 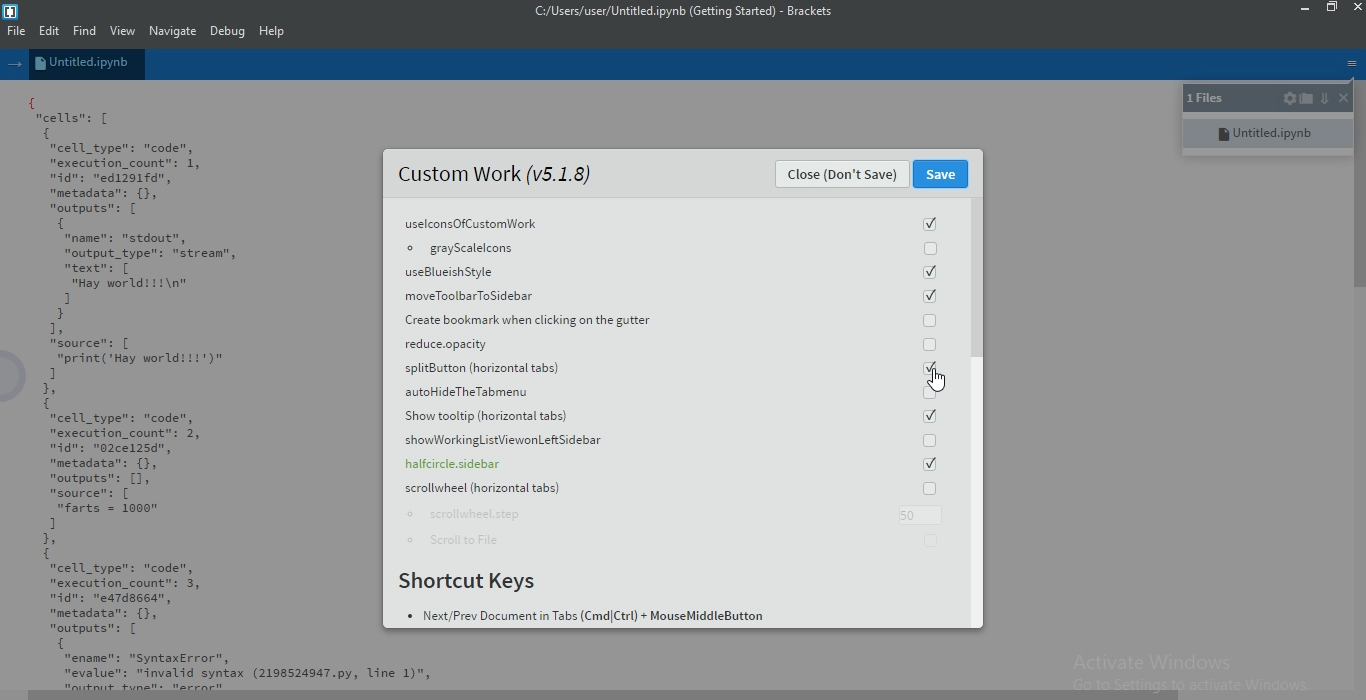 What do you see at coordinates (273, 33) in the screenshot?
I see `Help` at bounding box center [273, 33].